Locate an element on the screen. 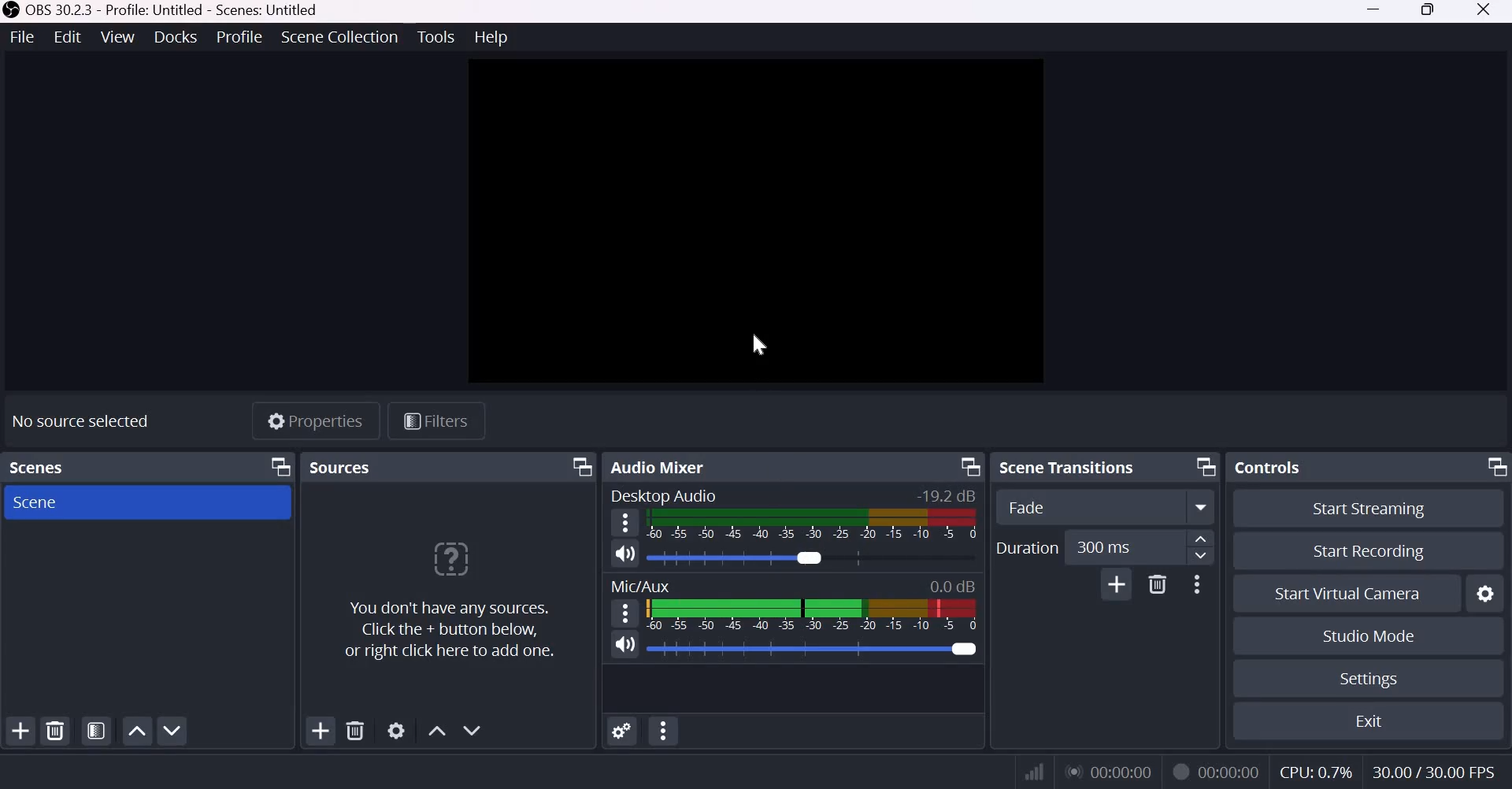 This screenshot has height=789, width=1512. Speaker icon is located at coordinates (623, 645).